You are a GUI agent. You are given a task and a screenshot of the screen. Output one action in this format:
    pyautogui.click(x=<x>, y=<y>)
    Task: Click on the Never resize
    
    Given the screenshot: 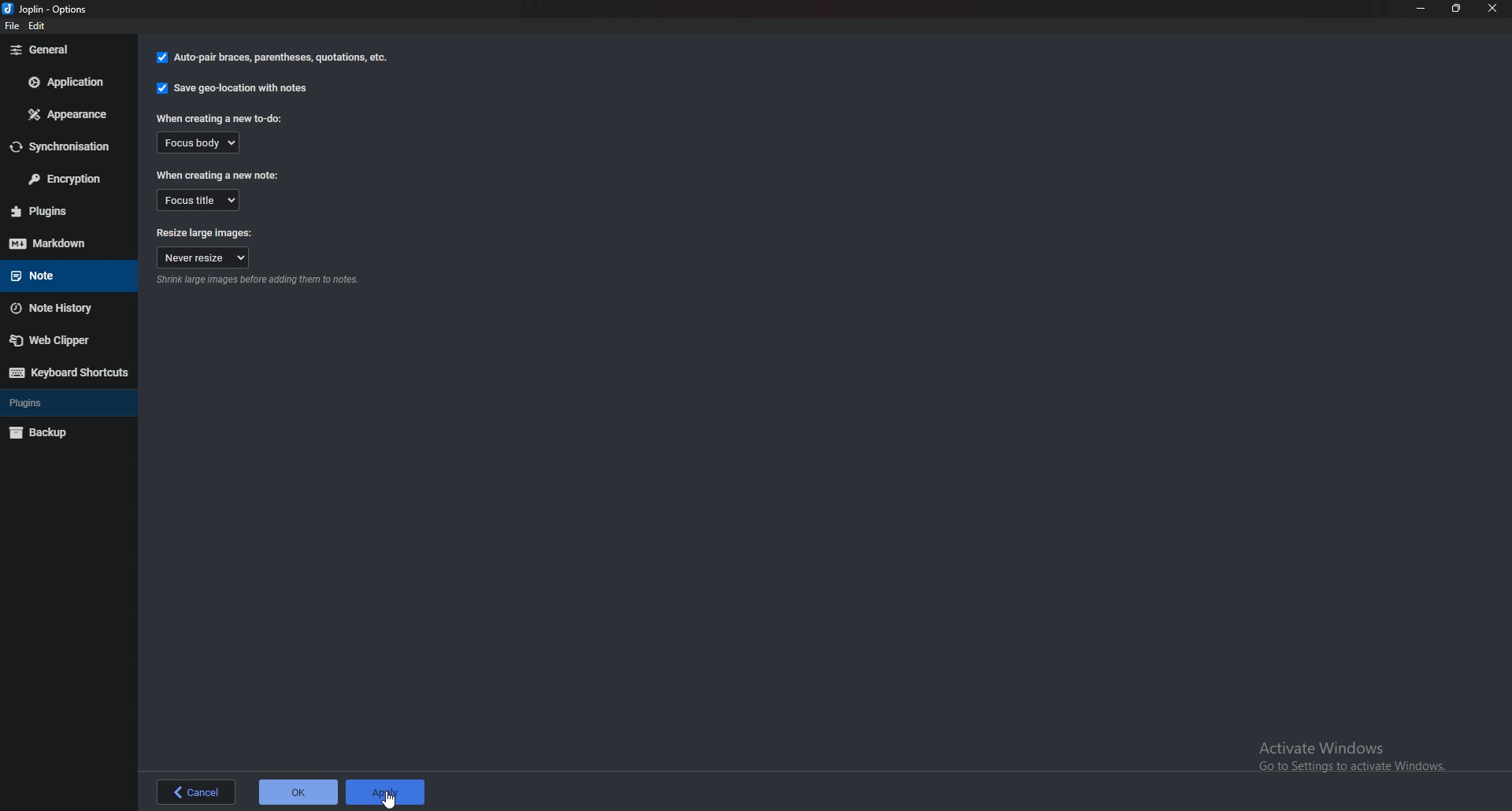 What is the action you would take?
    pyautogui.click(x=203, y=258)
    